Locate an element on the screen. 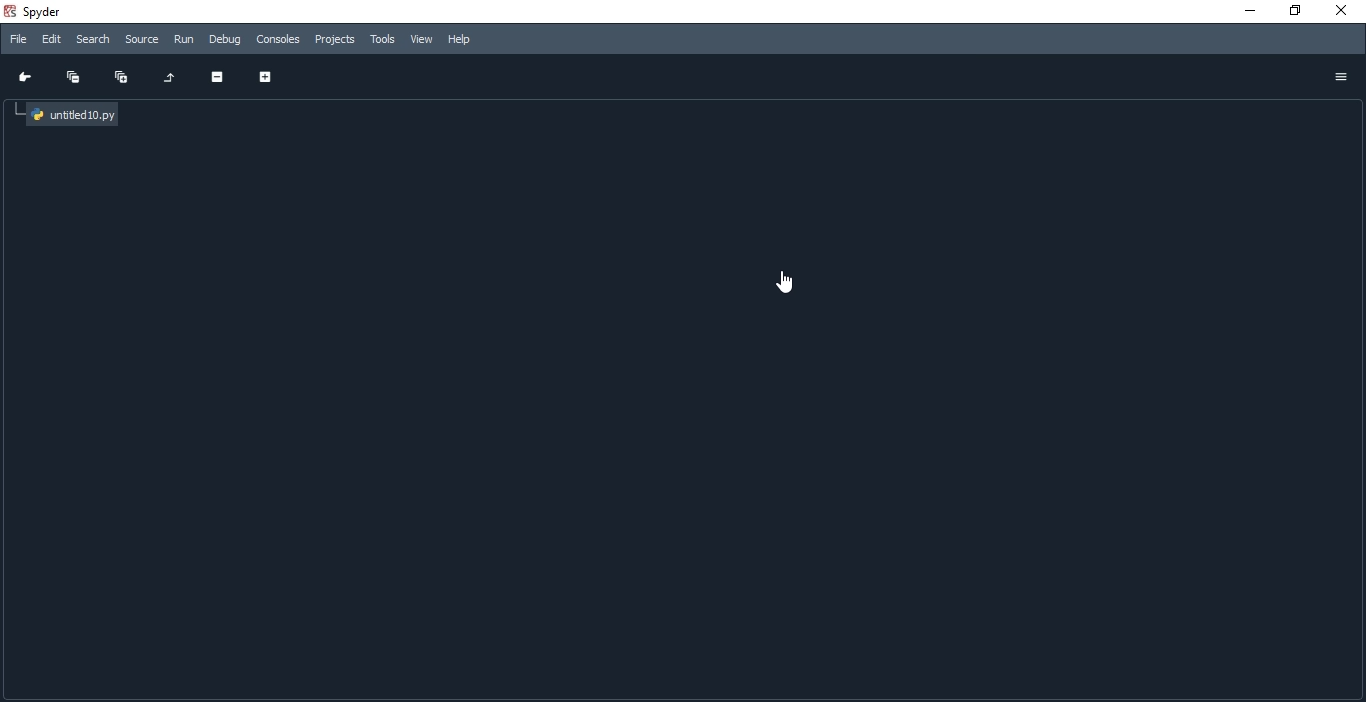 The height and width of the screenshot is (702, 1366). Debug is located at coordinates (225, 40).